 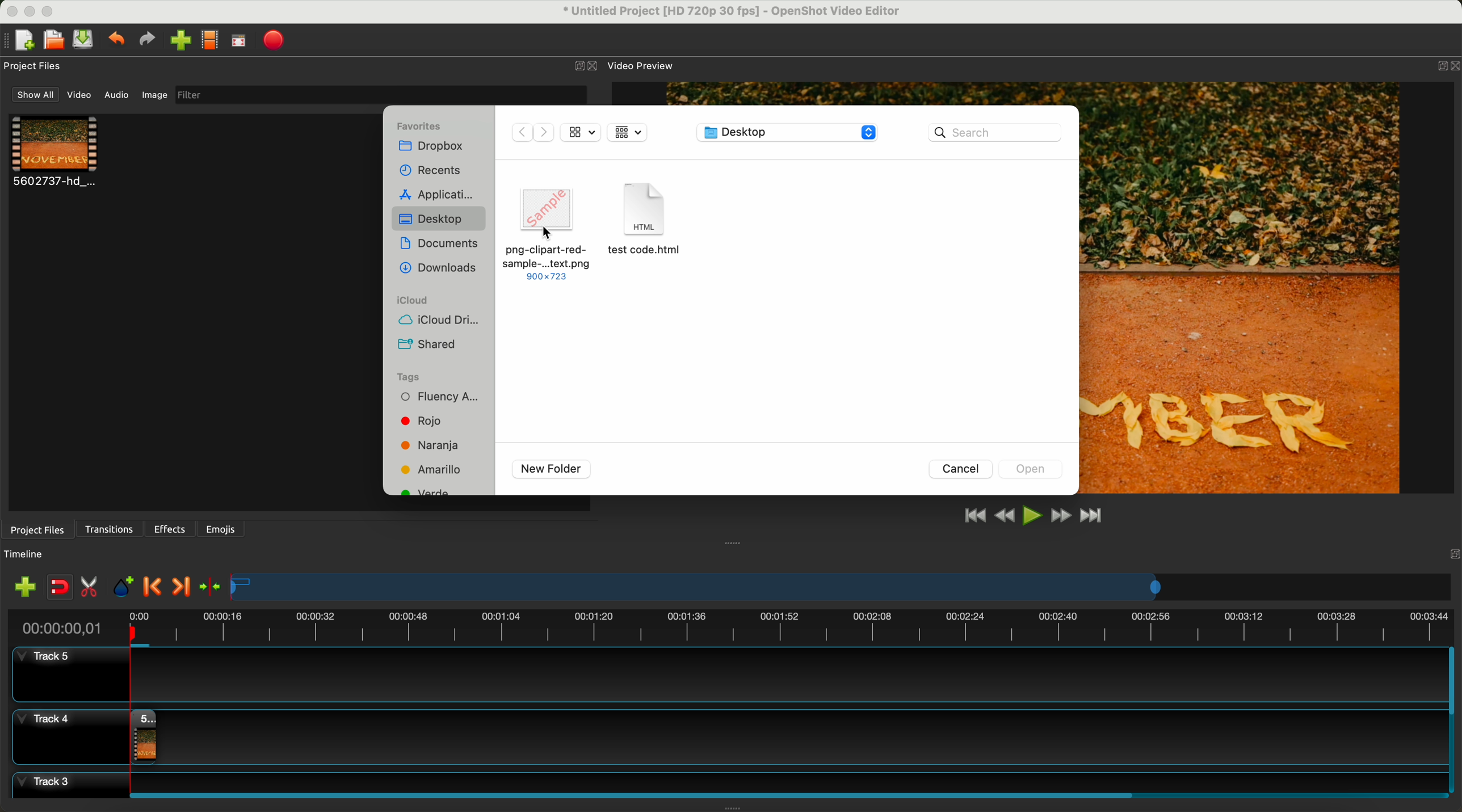 I want to click on next marker, so click(x=180, y=587).